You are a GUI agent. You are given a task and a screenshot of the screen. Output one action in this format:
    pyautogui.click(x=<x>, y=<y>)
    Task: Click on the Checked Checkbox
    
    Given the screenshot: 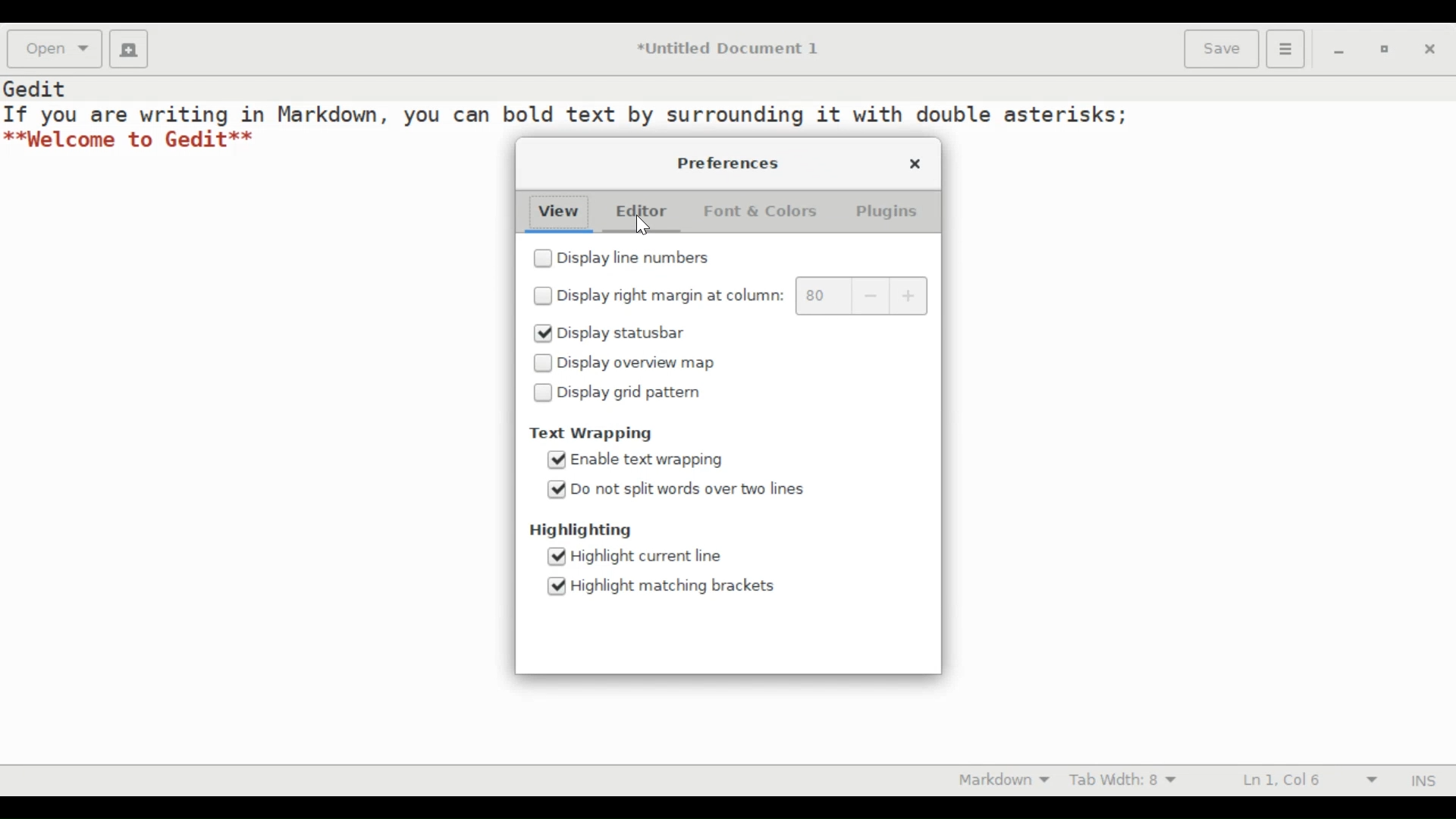 What is the action you would take?
    pyautogui.click(x=541, y=334)
    